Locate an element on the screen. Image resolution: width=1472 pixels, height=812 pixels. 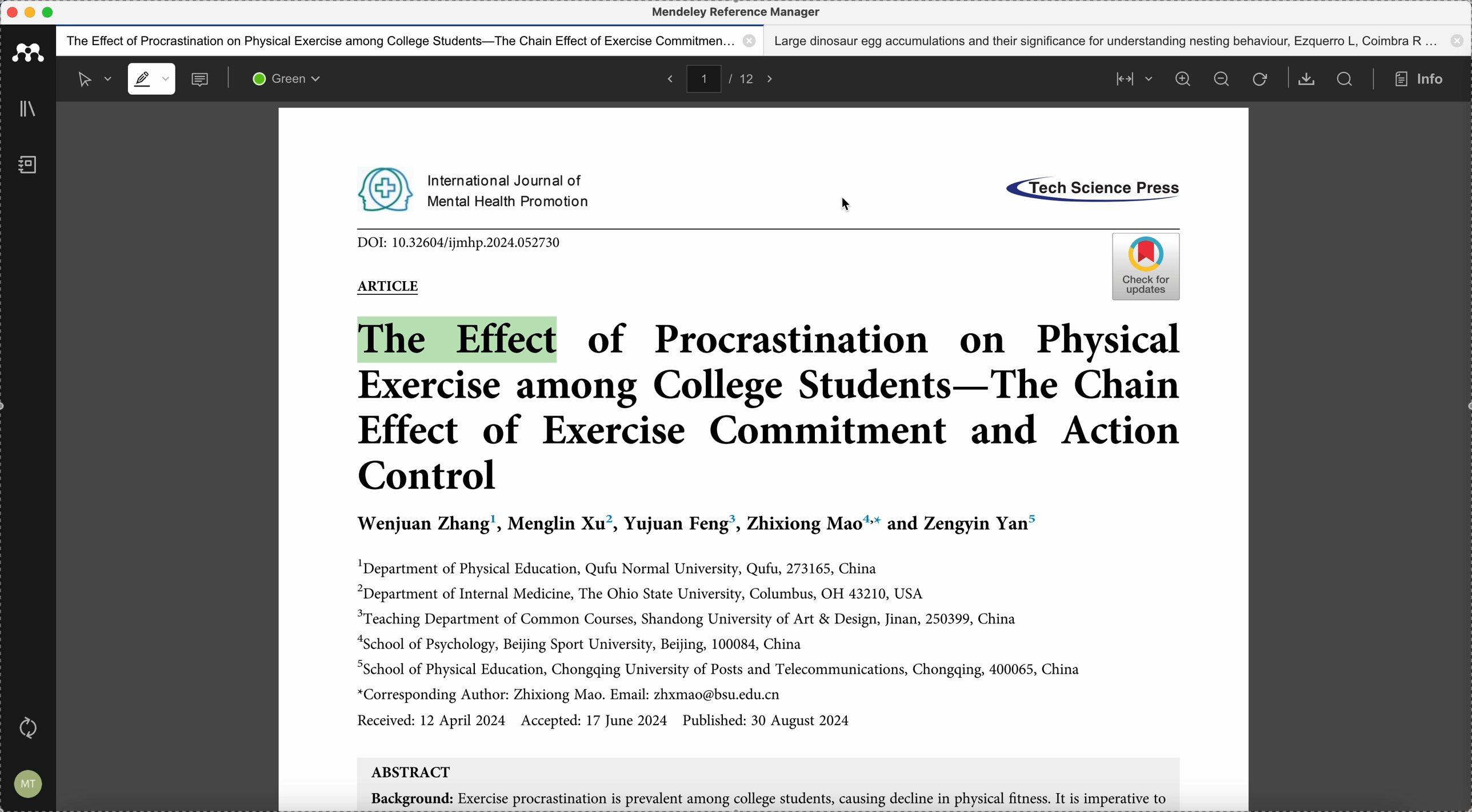
pages is located at coordinates (725, 77).